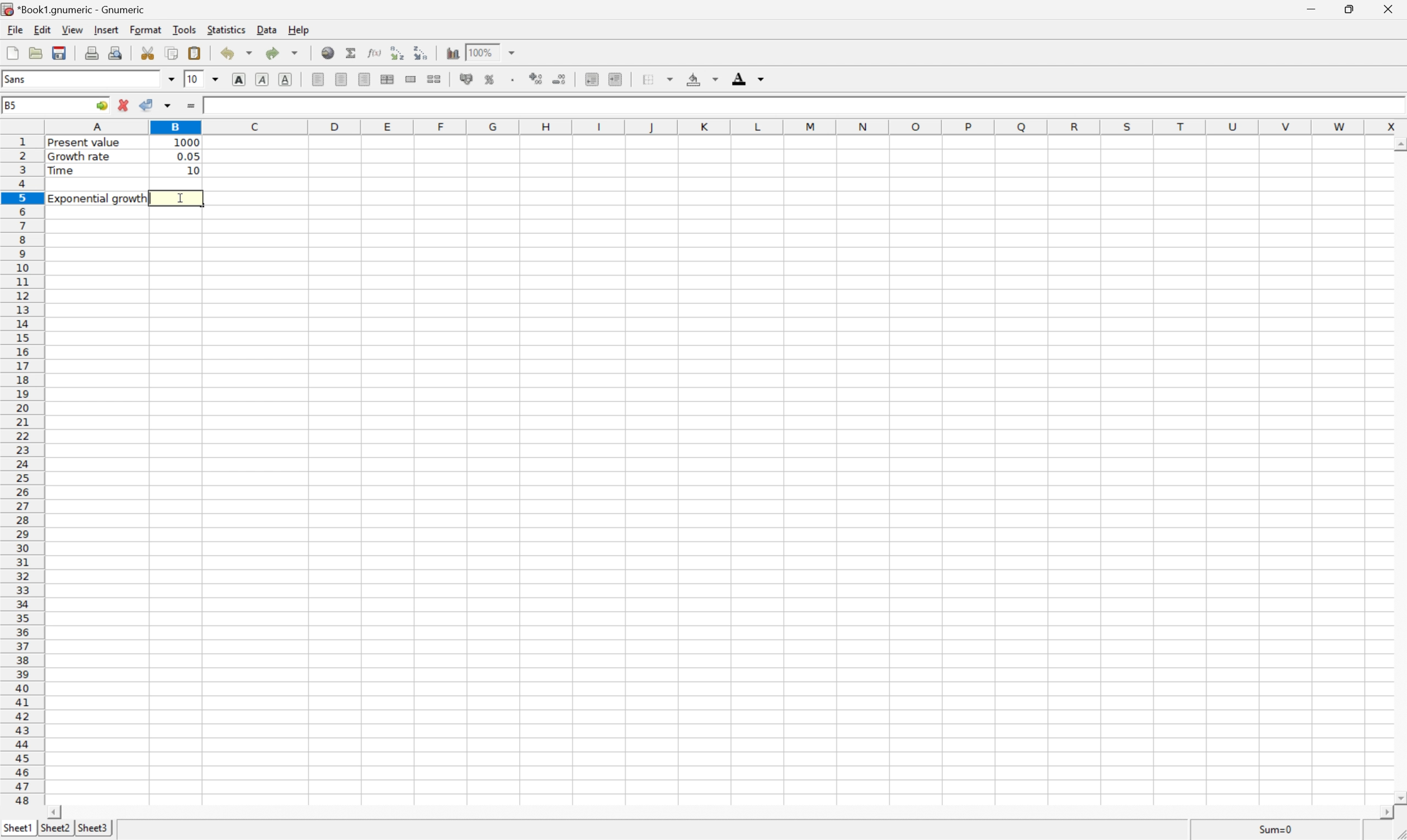  What do you see at coordinates (700, 79) in the screenshot?
I see `Background` at bounding box center [700, 79].